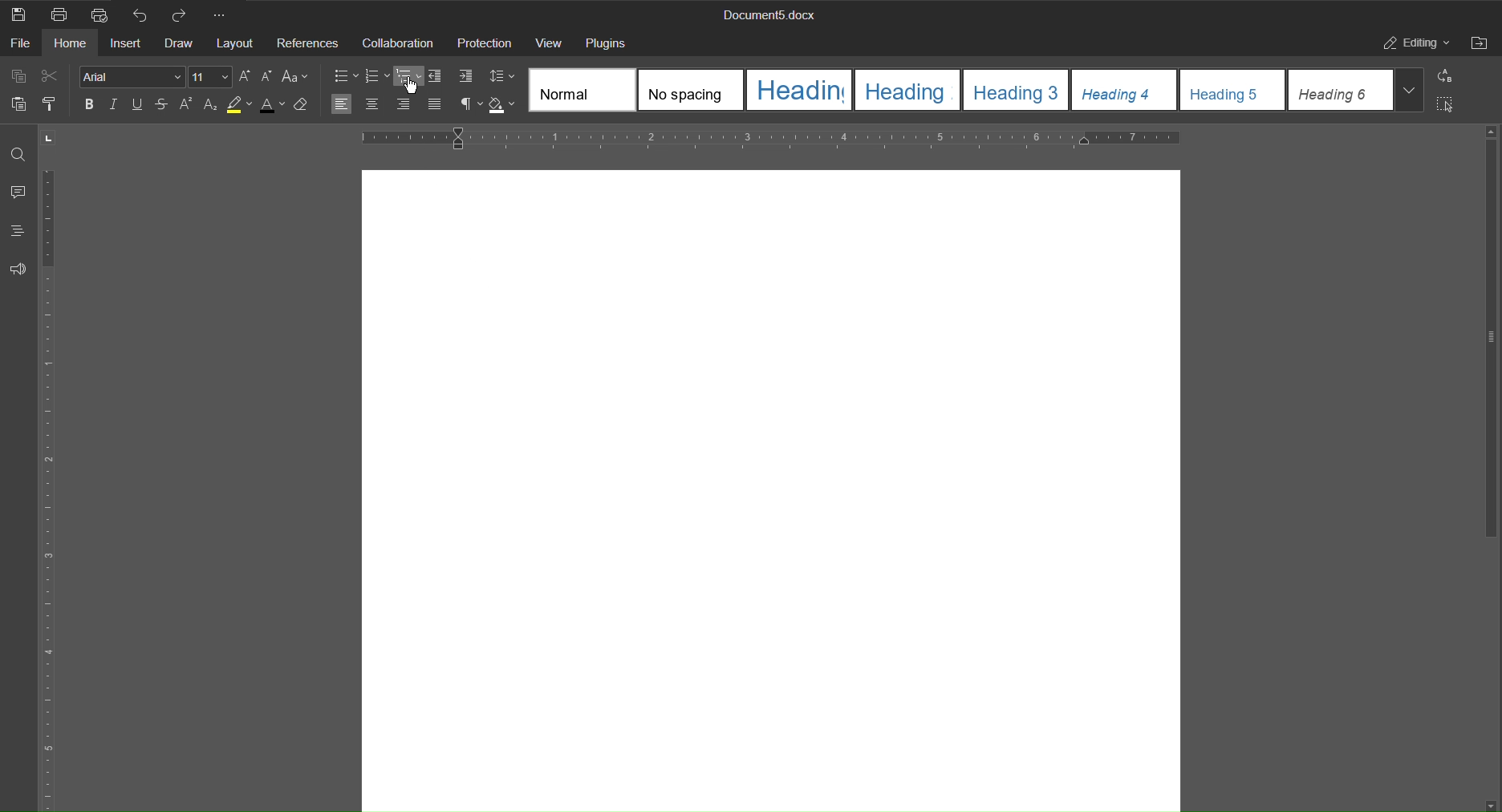  What do you see at coordinates (74, 45) in the screenshot?
I see `Home` at bounding box center [74, 45].